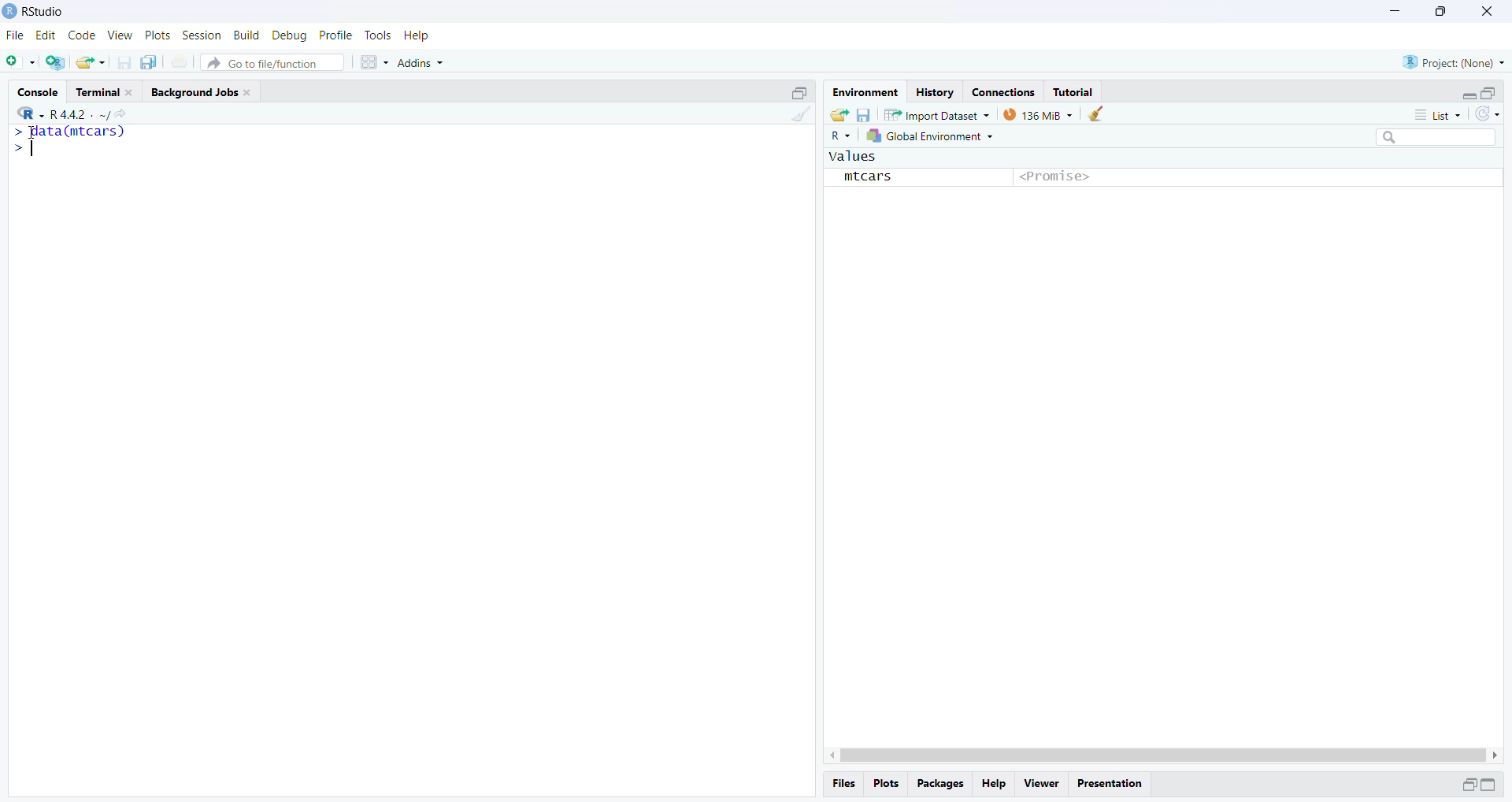  What do you see at coordinates (798, 123) in the screenshot?
I see `Clear console (Ctrl +L)` at bounding box center [798, 123].